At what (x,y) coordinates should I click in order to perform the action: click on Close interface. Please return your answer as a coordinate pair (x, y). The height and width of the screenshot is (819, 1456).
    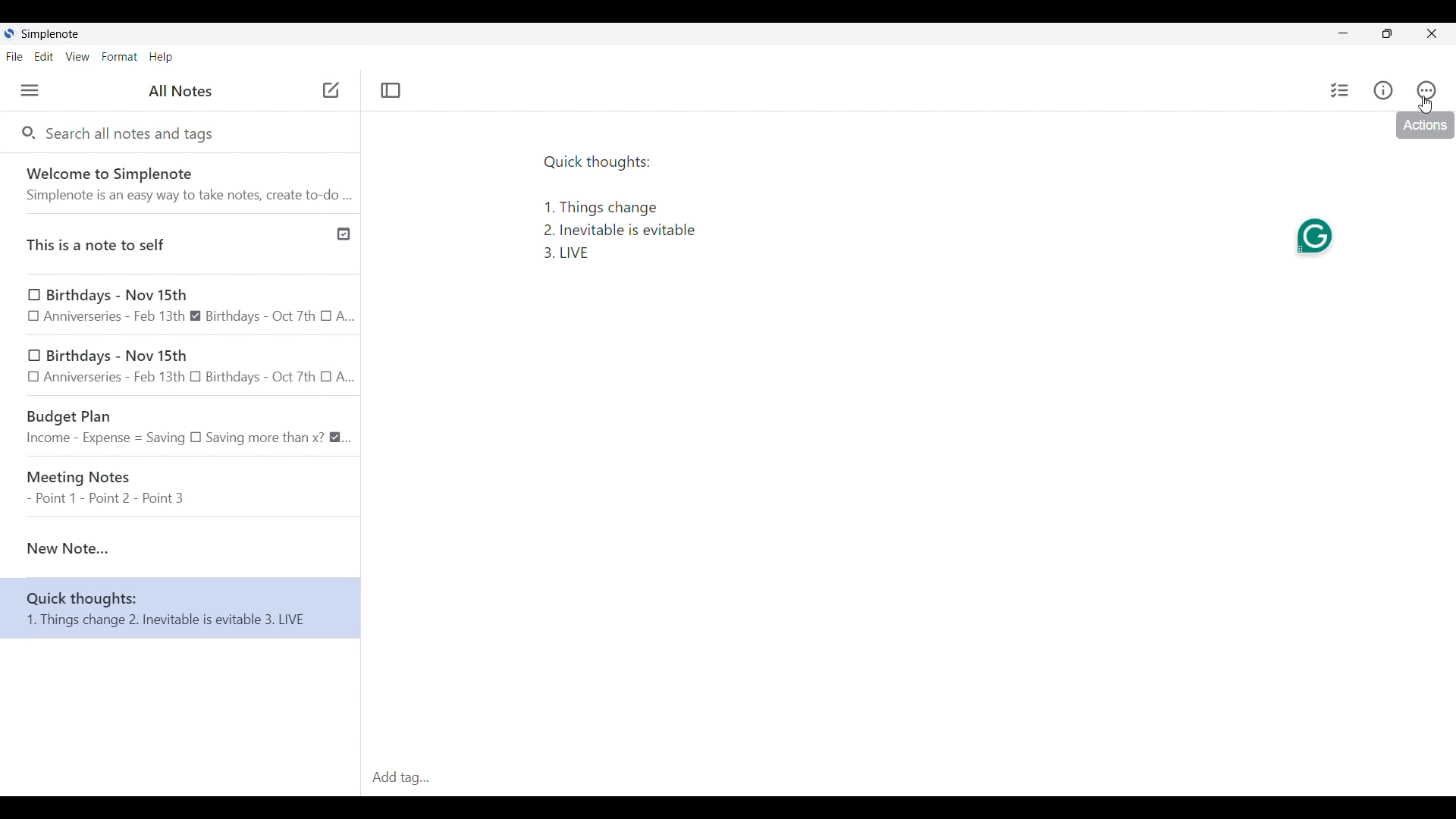
    Looking at the image, I should click on (1431, 33).